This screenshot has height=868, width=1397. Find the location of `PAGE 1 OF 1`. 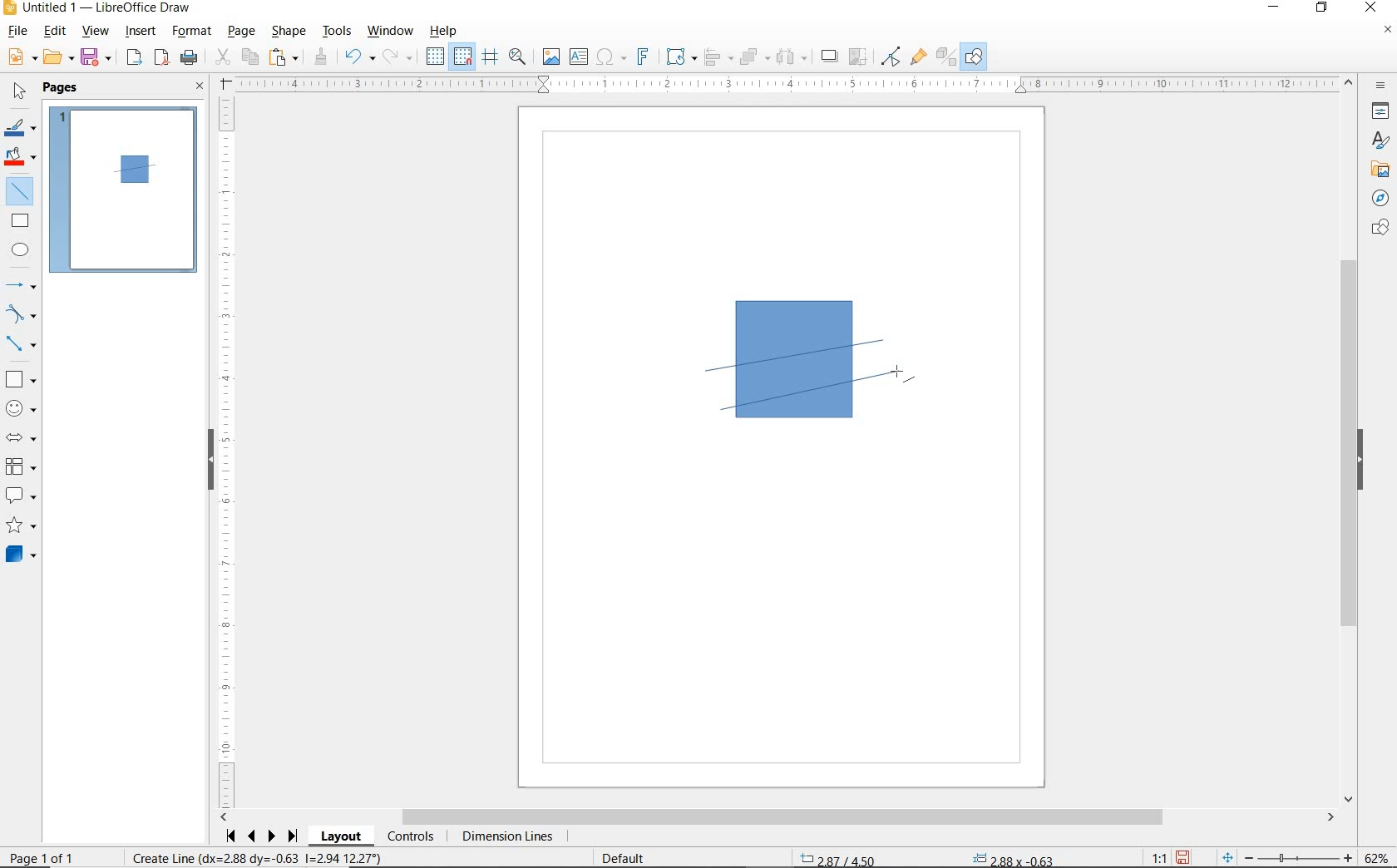

PAGE 1 OF 1 is located at coordinates (60, 860).